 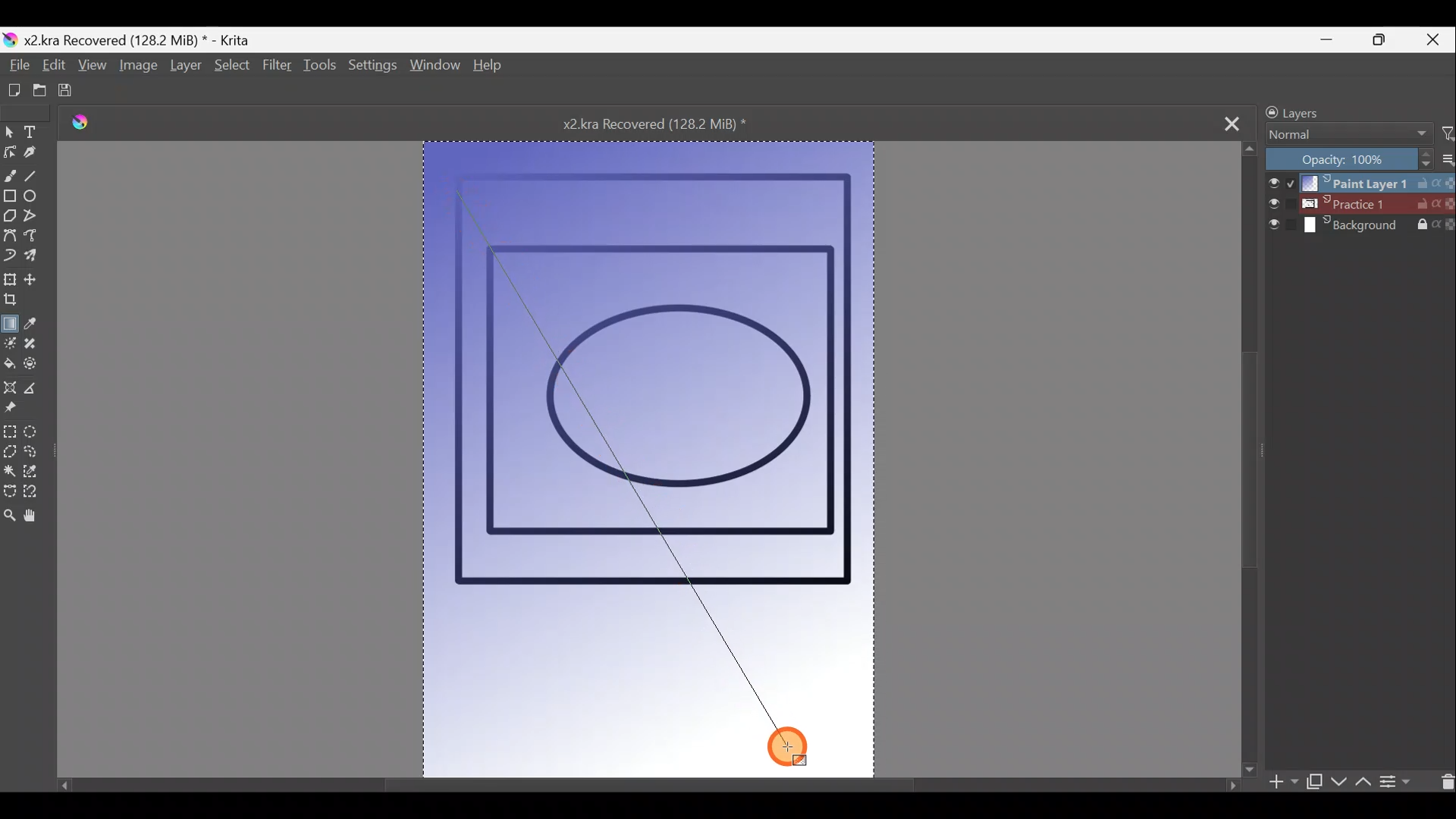 I want to click on Move layer/mask up, so click(x=1361, y=782).